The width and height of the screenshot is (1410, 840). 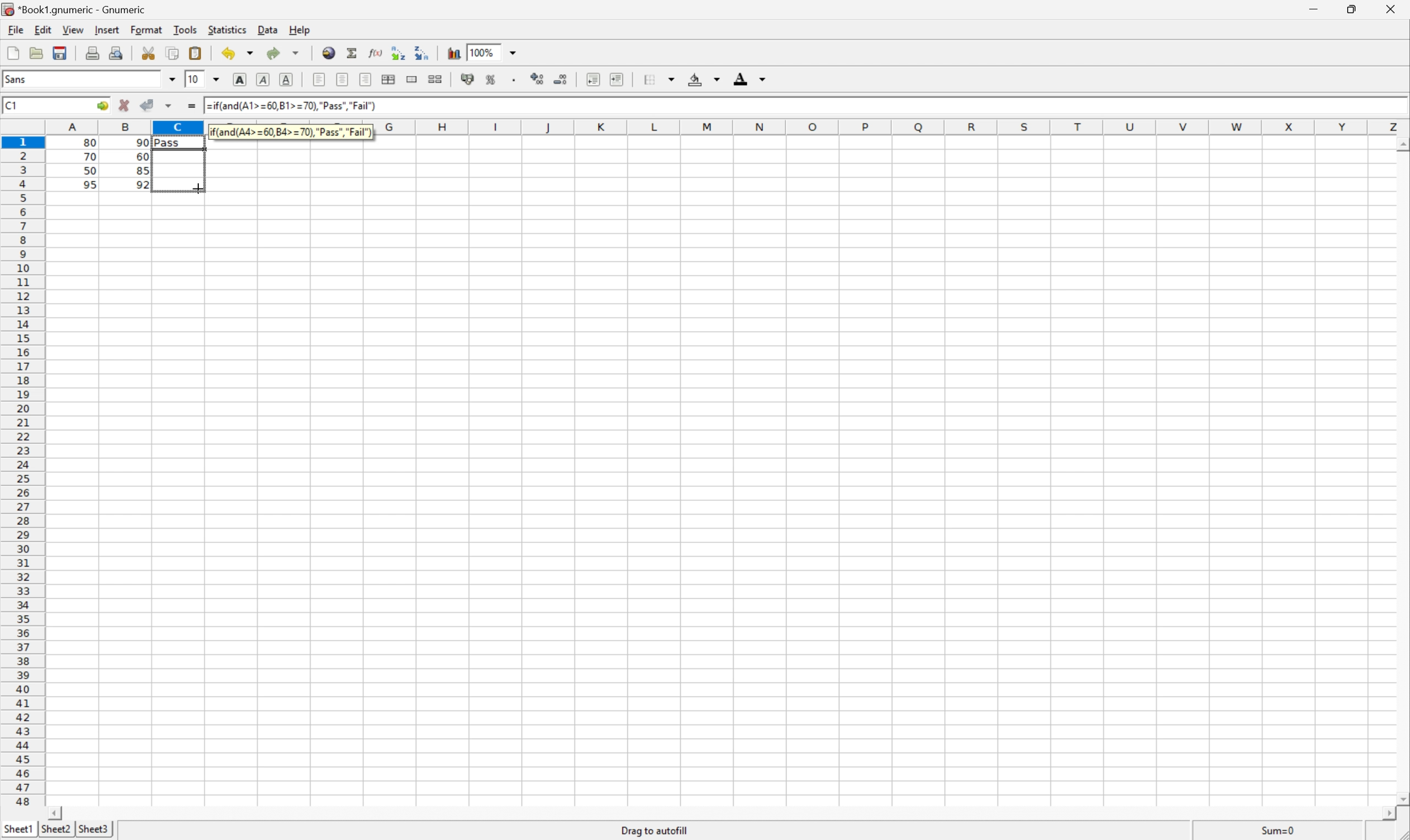 What do you see at coordinates (17, 30) in the screenshot?
I see `File` at bounding box center [17, 30].